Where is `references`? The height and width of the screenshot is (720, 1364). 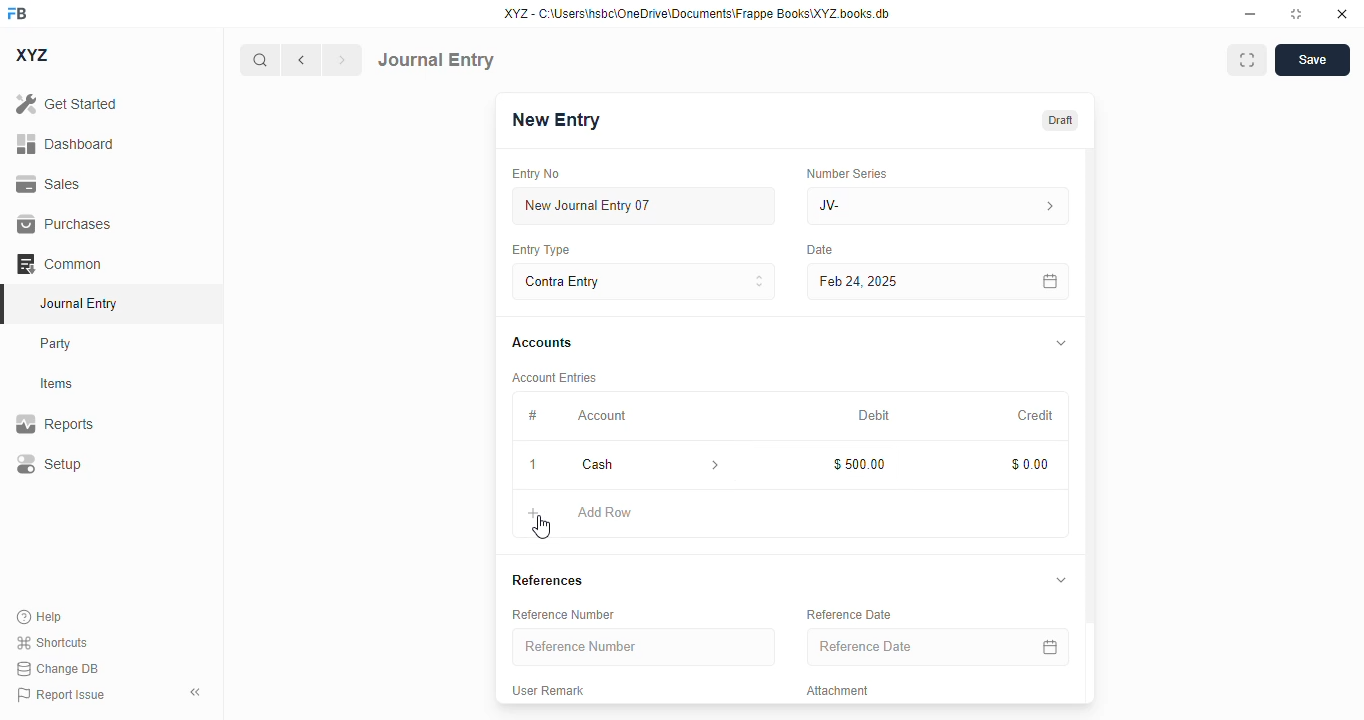 references is located at coordinates (548, 580).